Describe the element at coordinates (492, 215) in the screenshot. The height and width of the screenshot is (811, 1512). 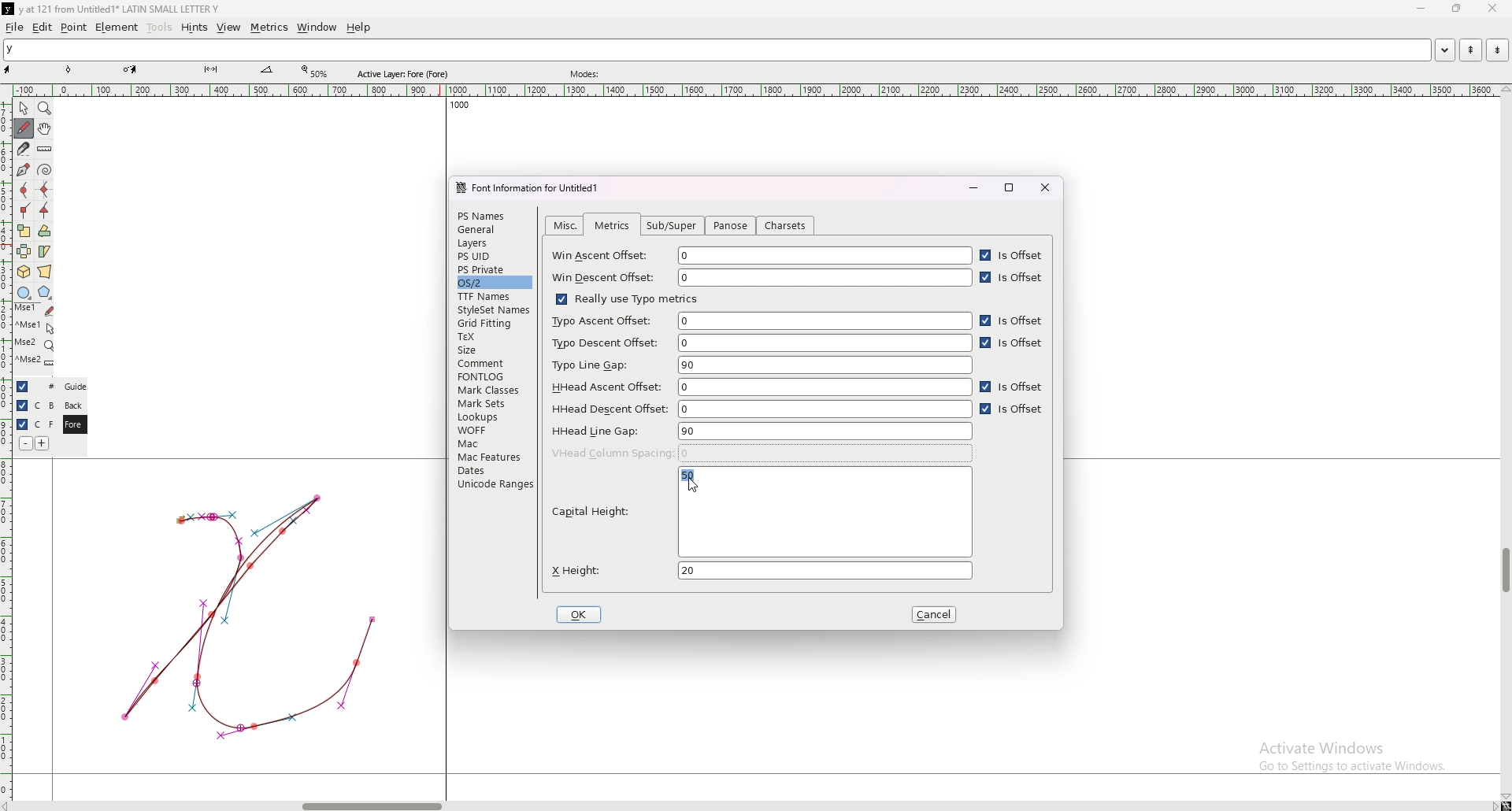
I see `ps names` at that location.